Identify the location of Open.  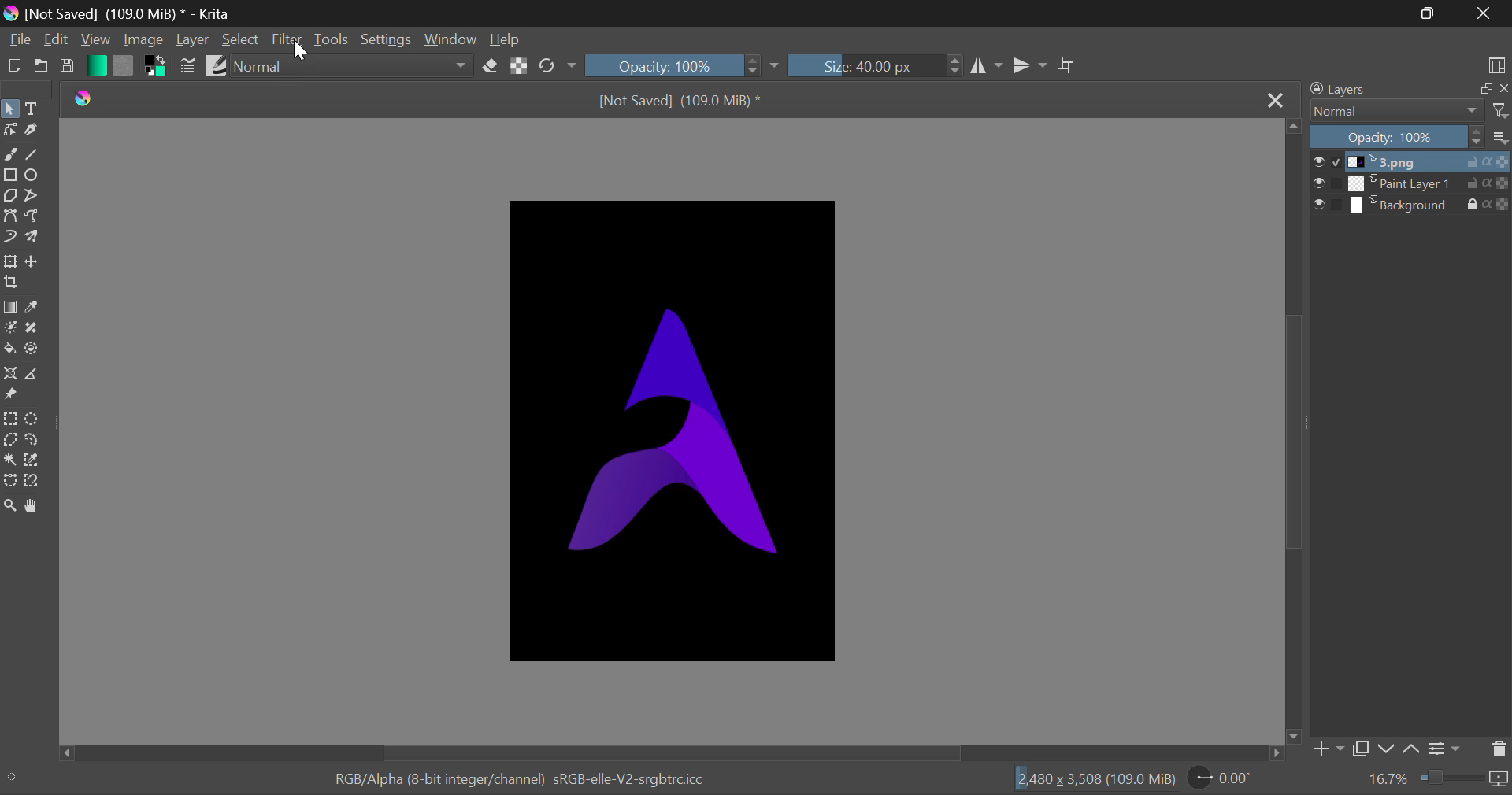
(39, 68).